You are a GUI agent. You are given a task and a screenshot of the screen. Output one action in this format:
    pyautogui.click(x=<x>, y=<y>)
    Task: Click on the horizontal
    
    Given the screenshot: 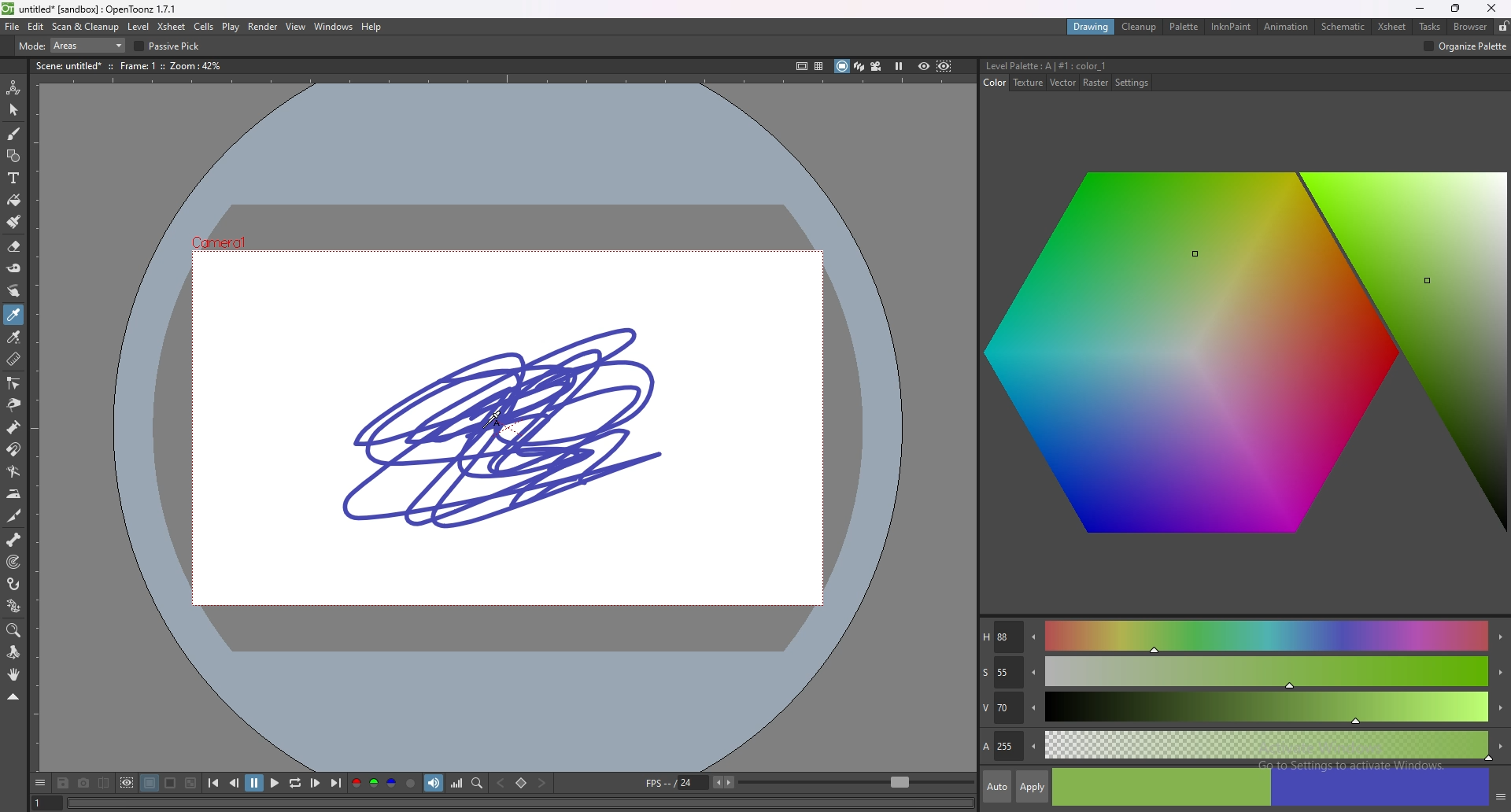 What is the action you would take?
    pyautogui.click(x=580, y=46)
    